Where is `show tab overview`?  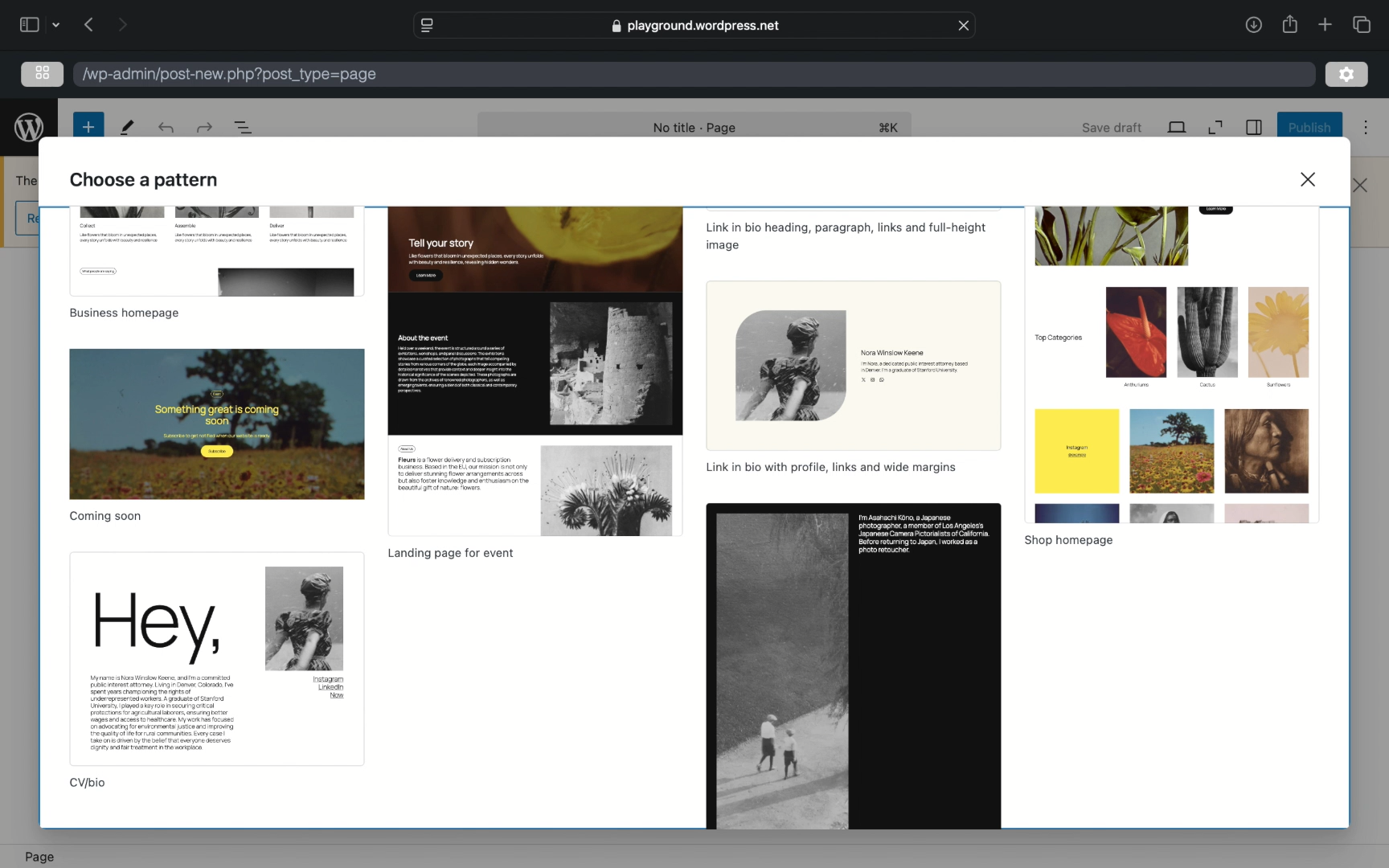
show tab overview is located at coordinates (1364, 24).